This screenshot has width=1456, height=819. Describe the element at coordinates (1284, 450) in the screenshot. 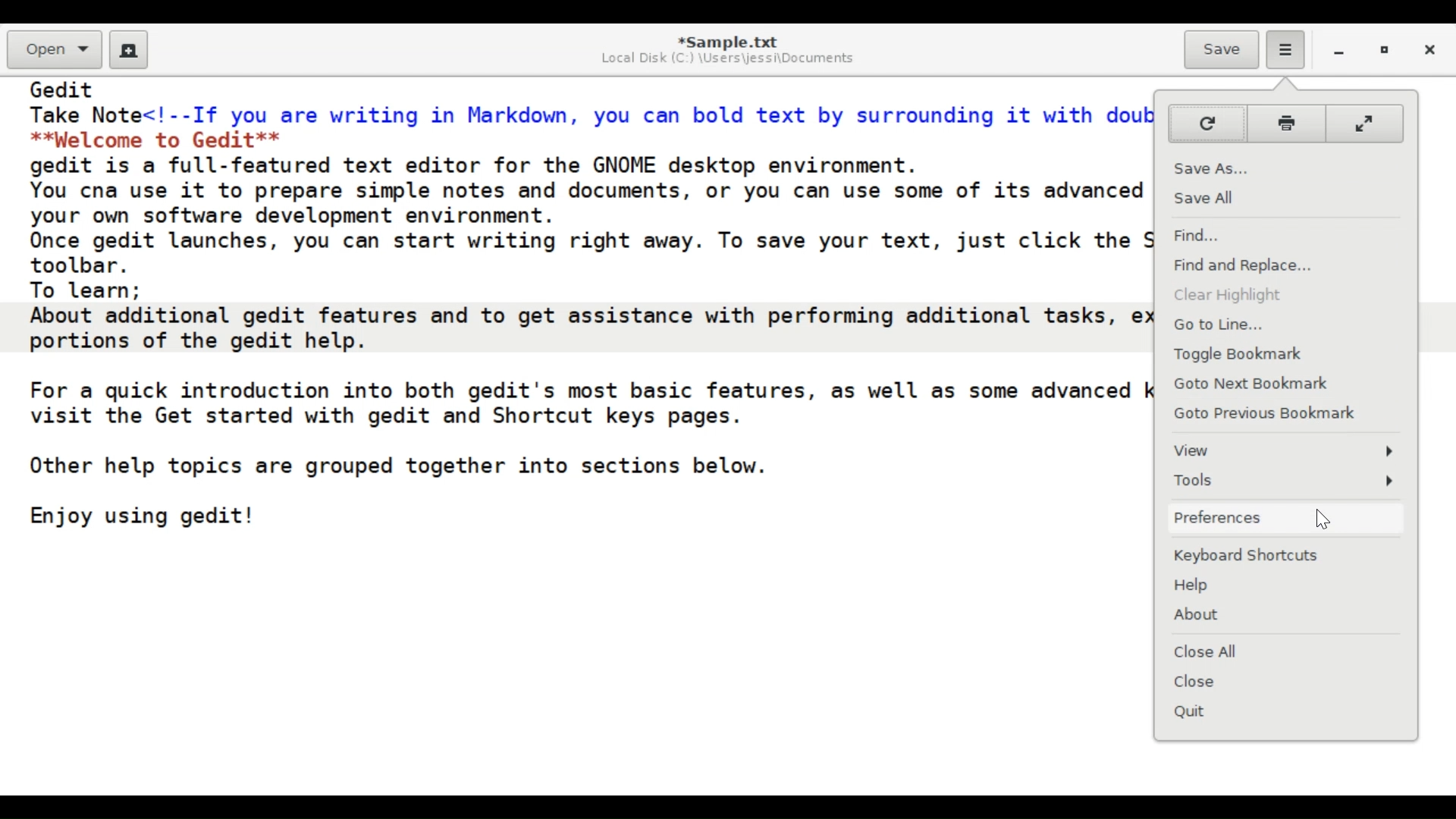

I see `View` at that location.